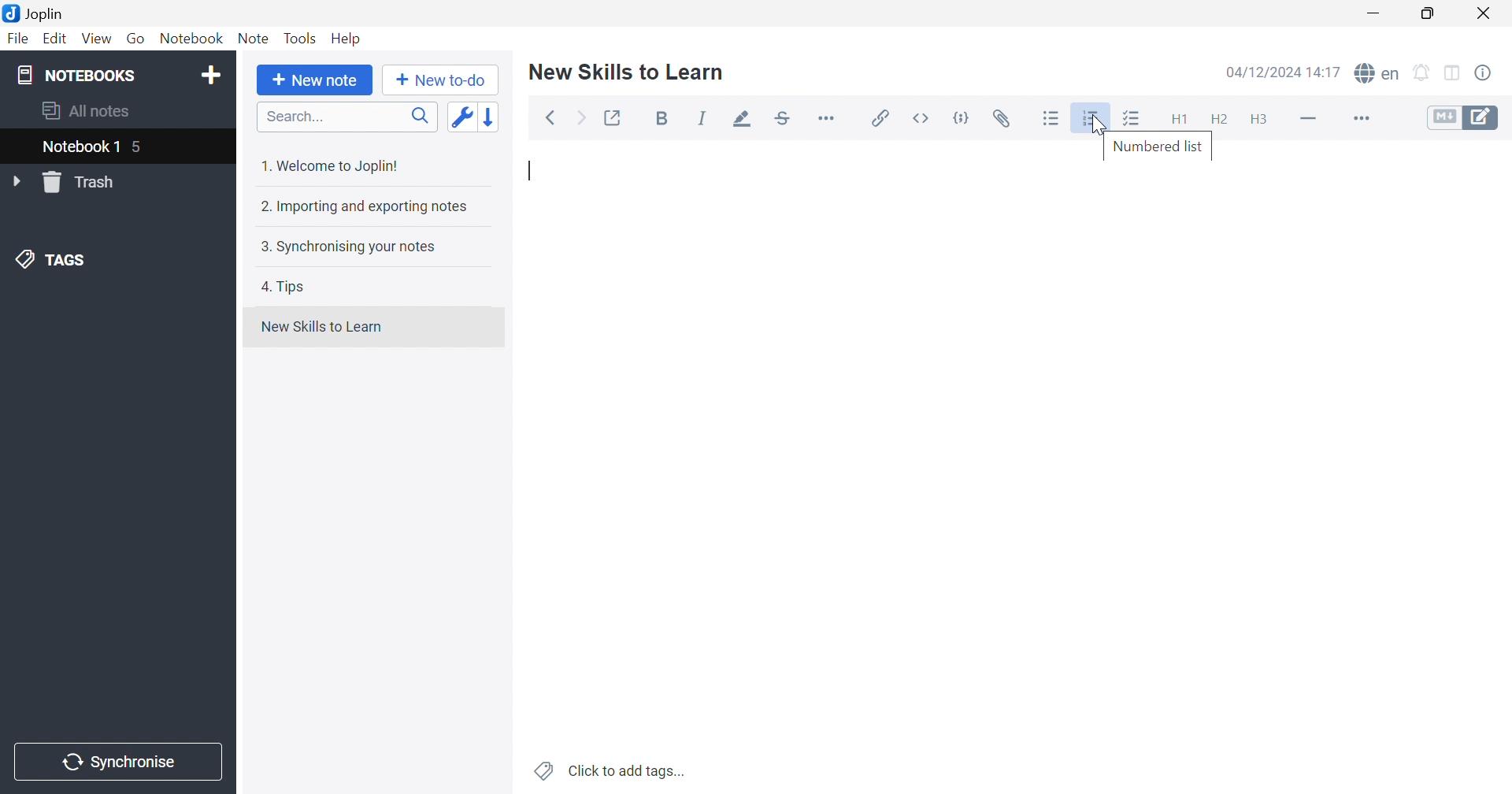 Image resolution: width=1512 pixels, height=794 pixels. I want to click on Inline code, so click(924, 118).